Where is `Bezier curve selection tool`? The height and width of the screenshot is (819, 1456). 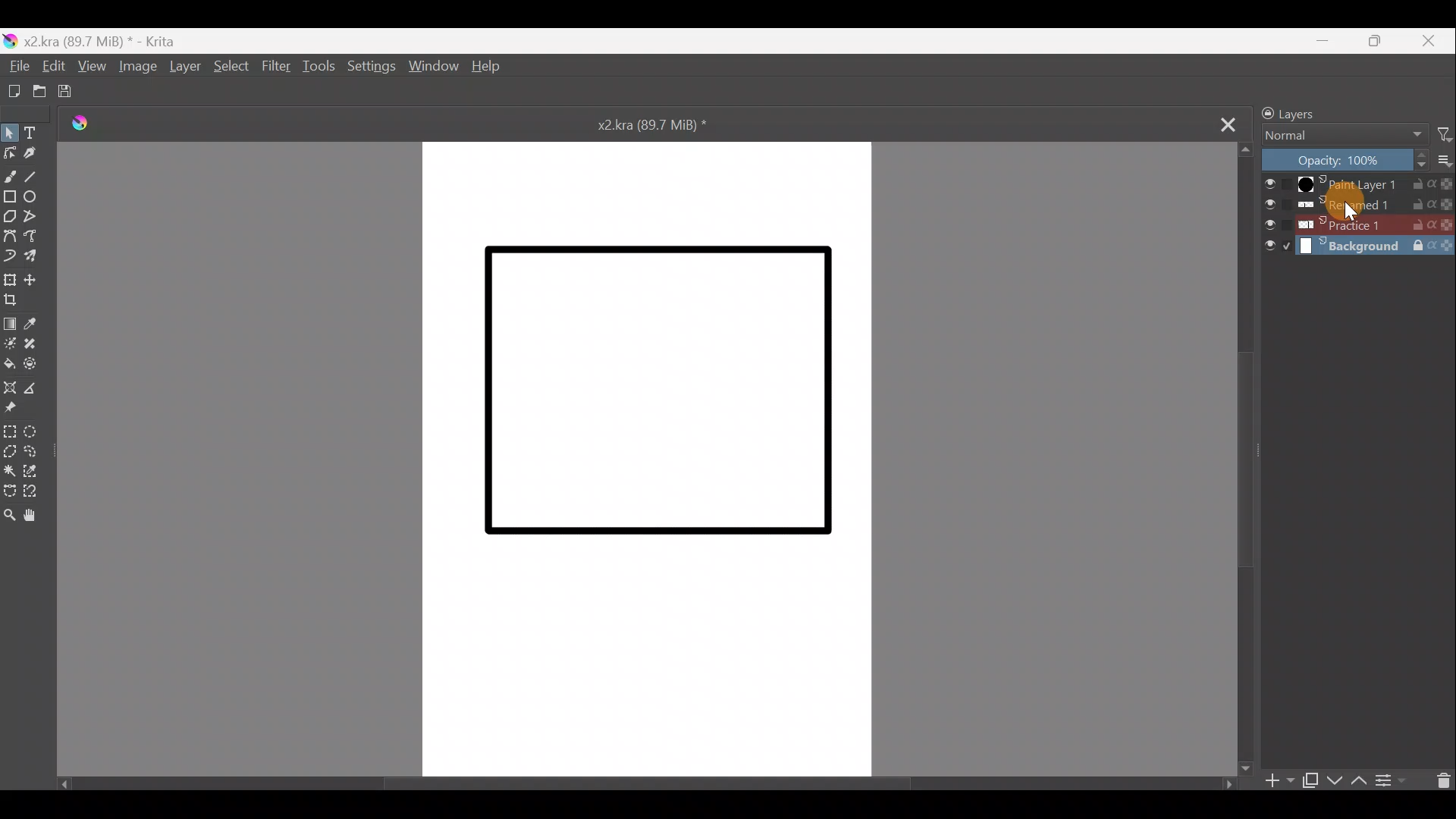 Bezier curve selection tool is located at coordinates (9, 491).